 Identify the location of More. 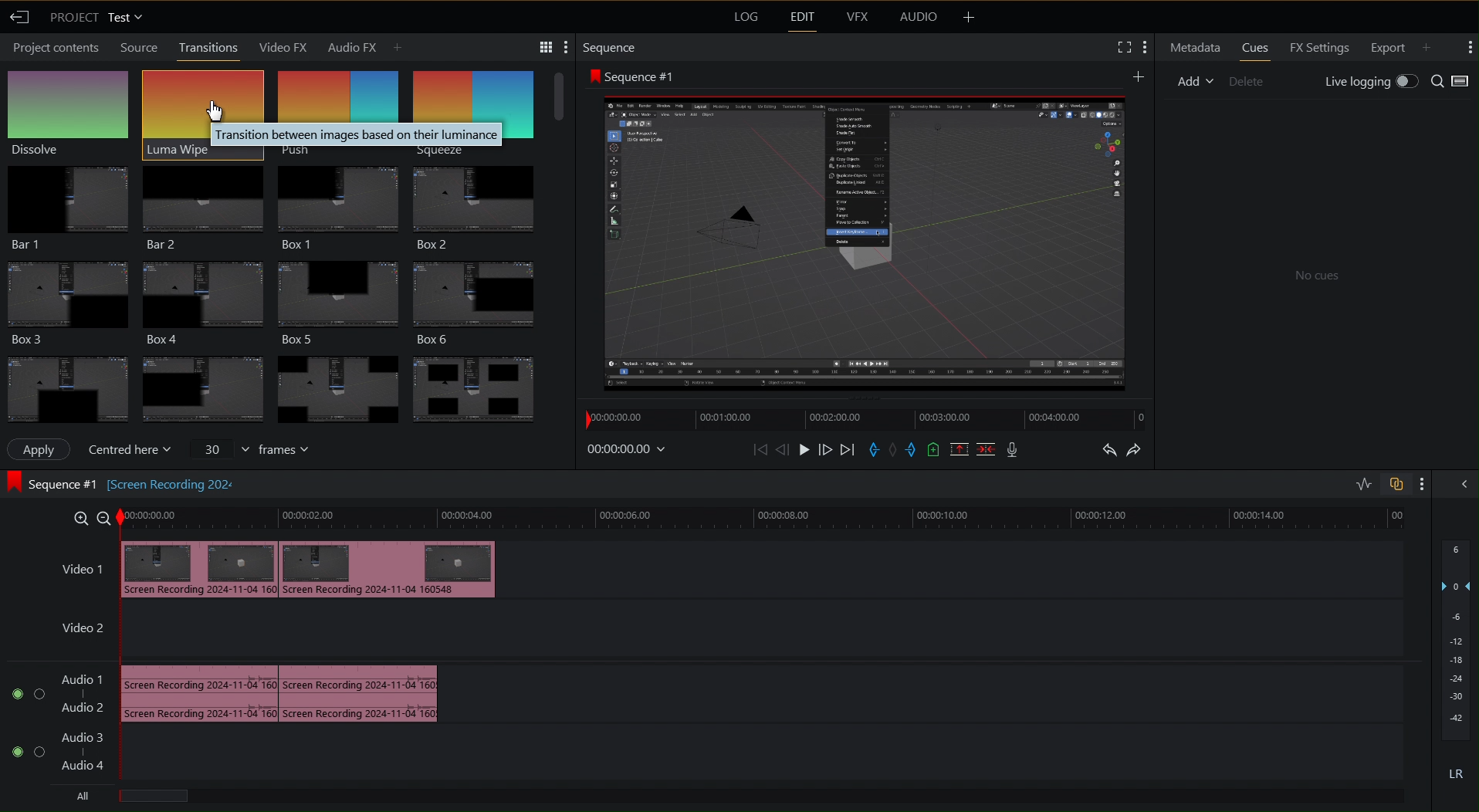
(1470, 49).